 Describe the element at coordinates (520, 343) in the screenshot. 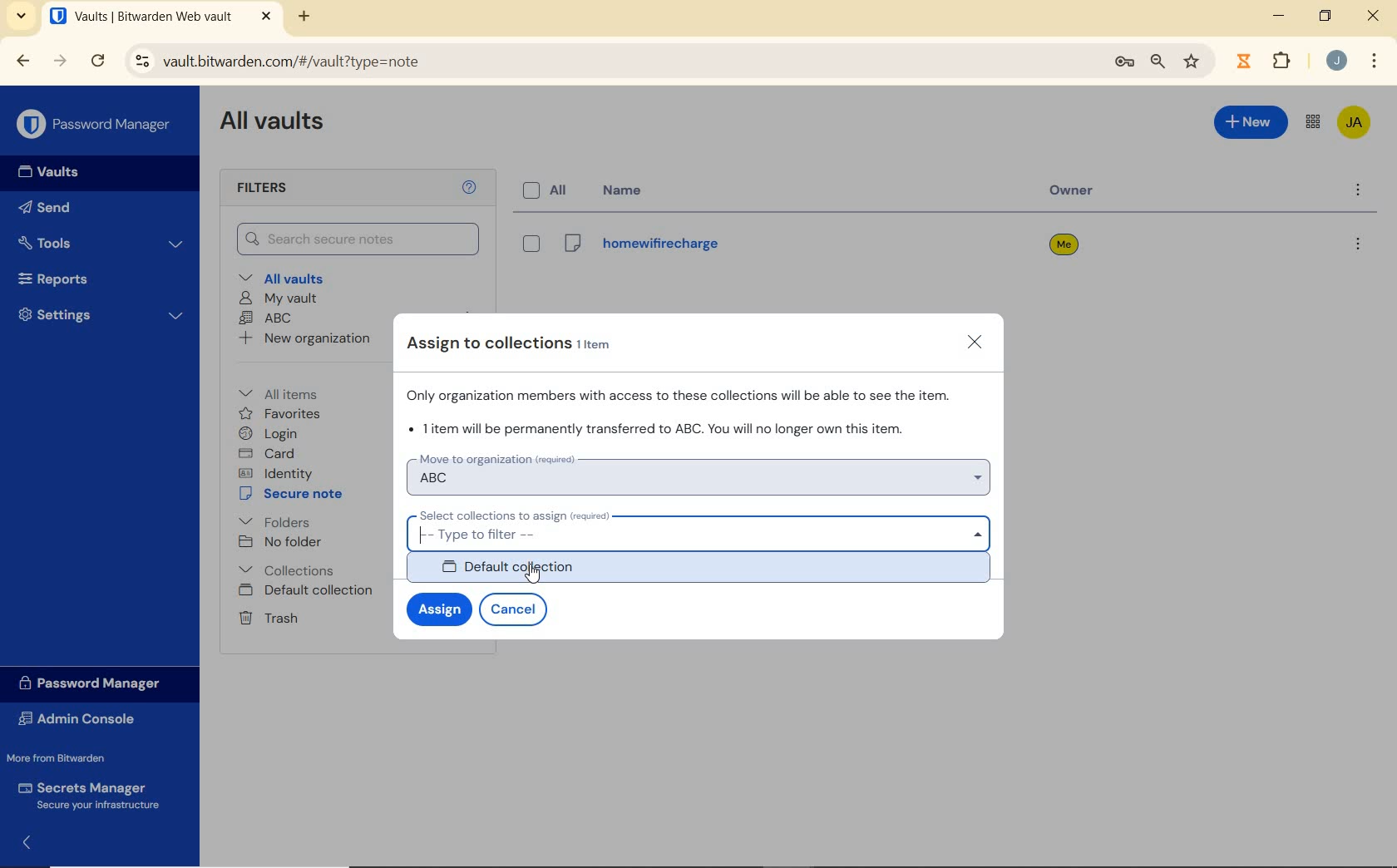

I see `Assign to collections` at that location.